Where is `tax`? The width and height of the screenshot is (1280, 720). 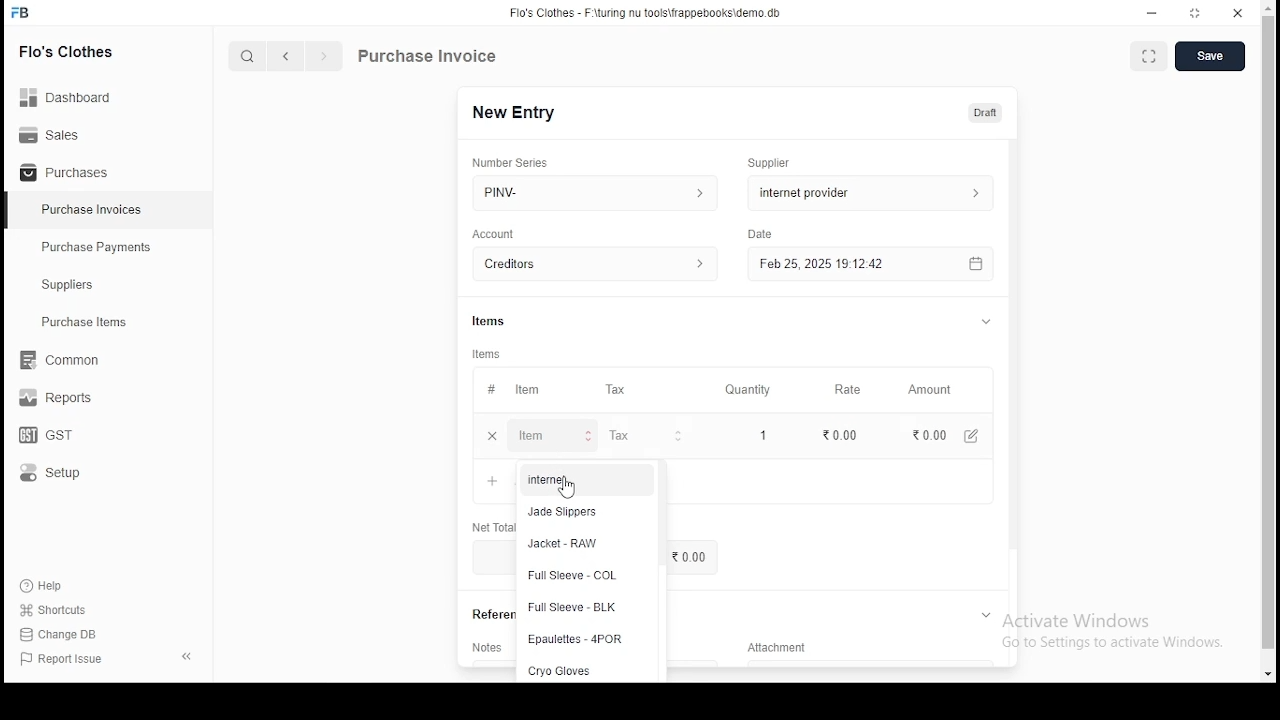 tax is located at coordinates (618, 436).